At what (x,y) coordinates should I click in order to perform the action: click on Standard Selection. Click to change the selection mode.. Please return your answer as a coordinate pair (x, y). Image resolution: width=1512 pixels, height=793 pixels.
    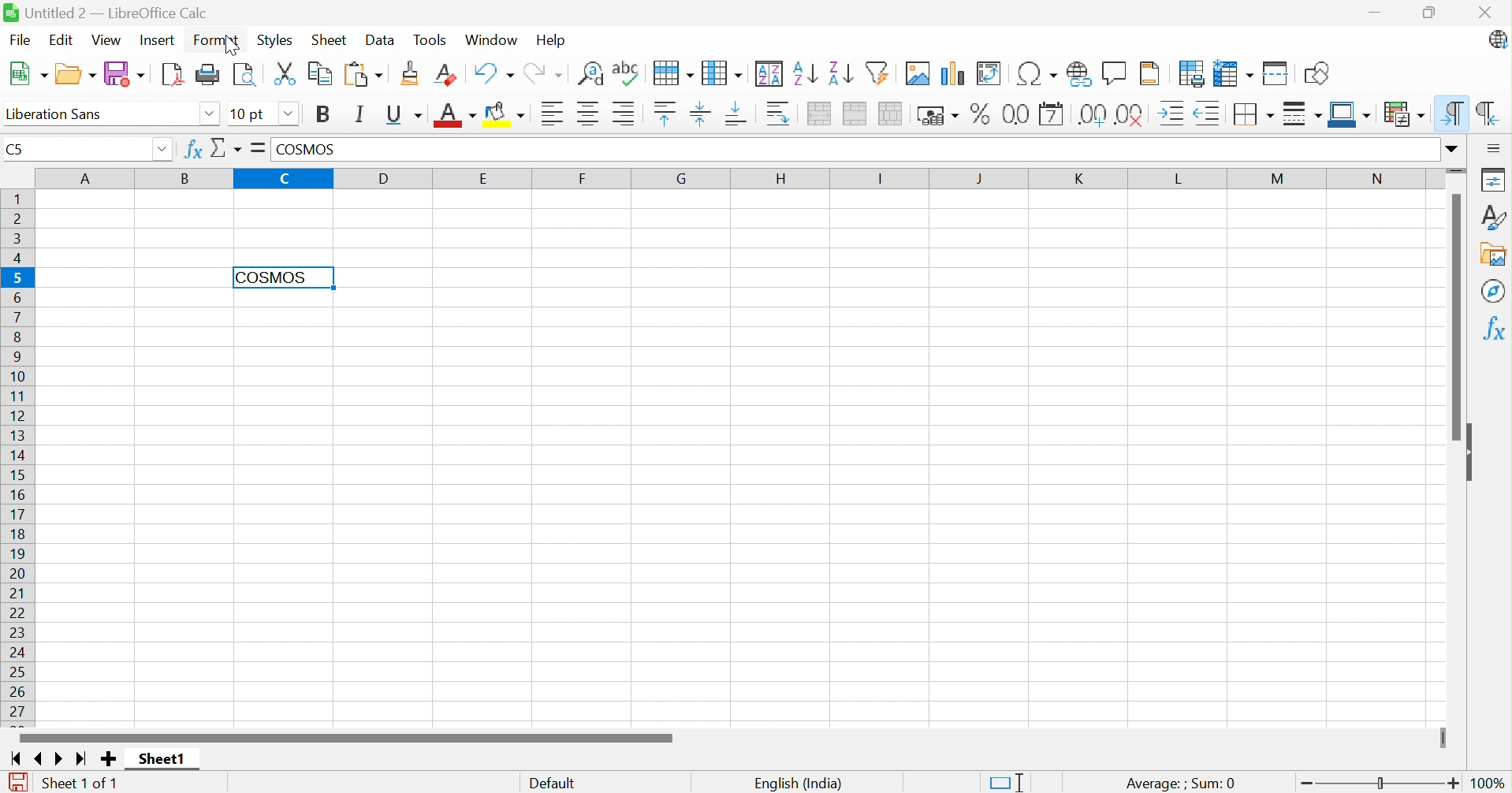
    Looking at the image, I should click on (1011, 782).